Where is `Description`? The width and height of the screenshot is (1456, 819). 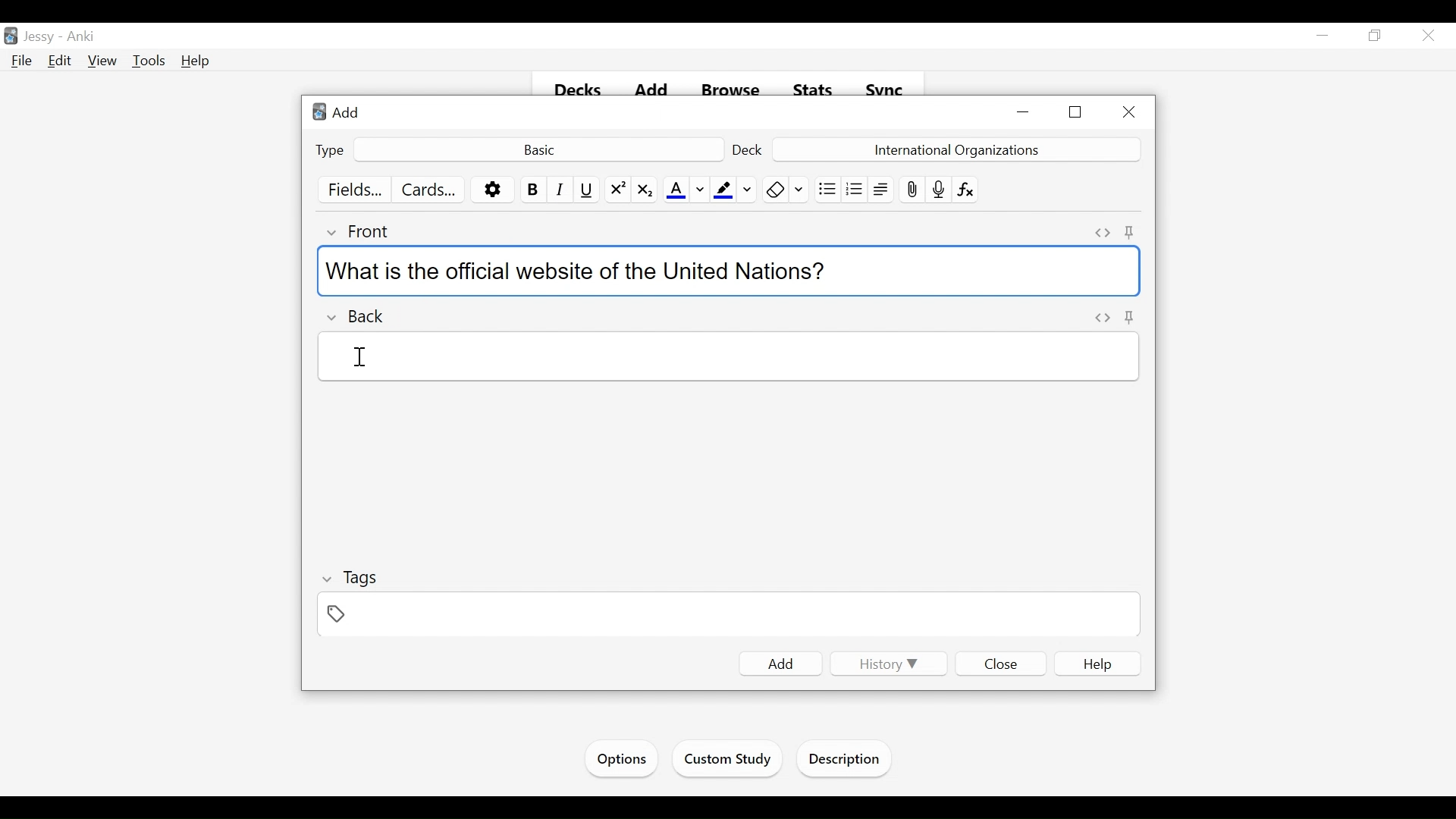
Description is located at coordinates (846, 761).